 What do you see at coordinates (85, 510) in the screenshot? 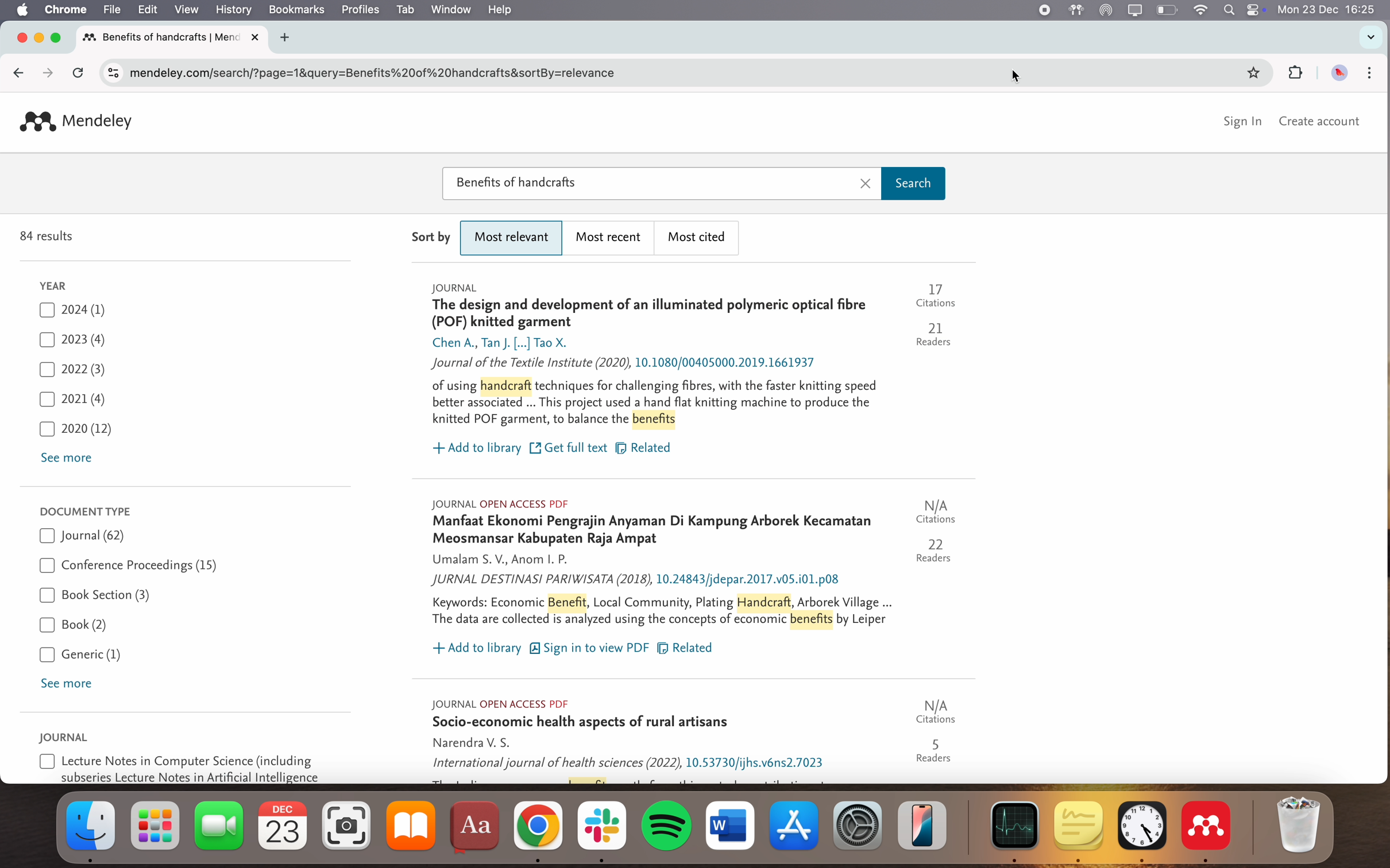
I see `document type` at bounding box center [85, 510].